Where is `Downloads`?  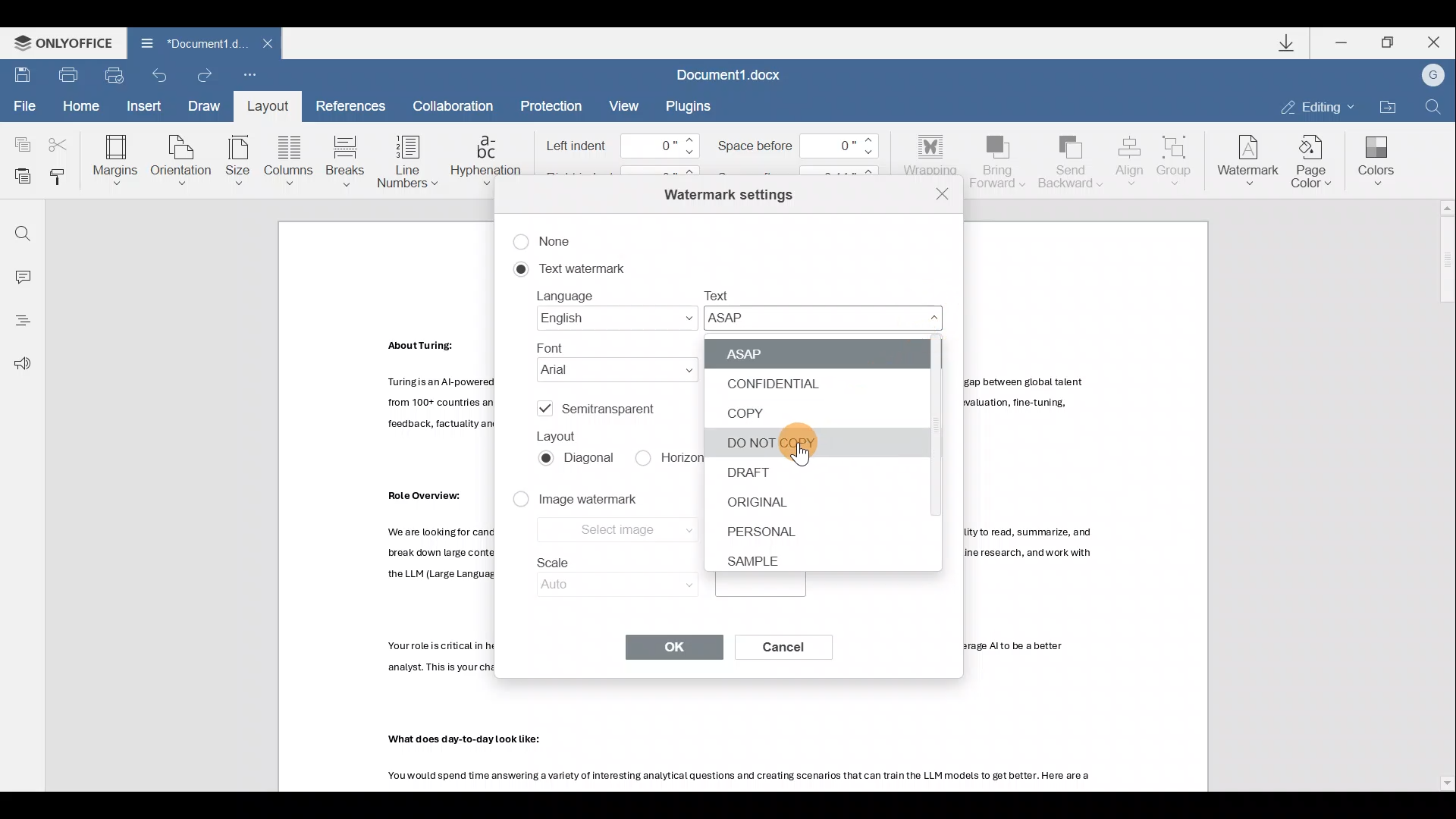
Downloads is located at coordinates (1292, 45).